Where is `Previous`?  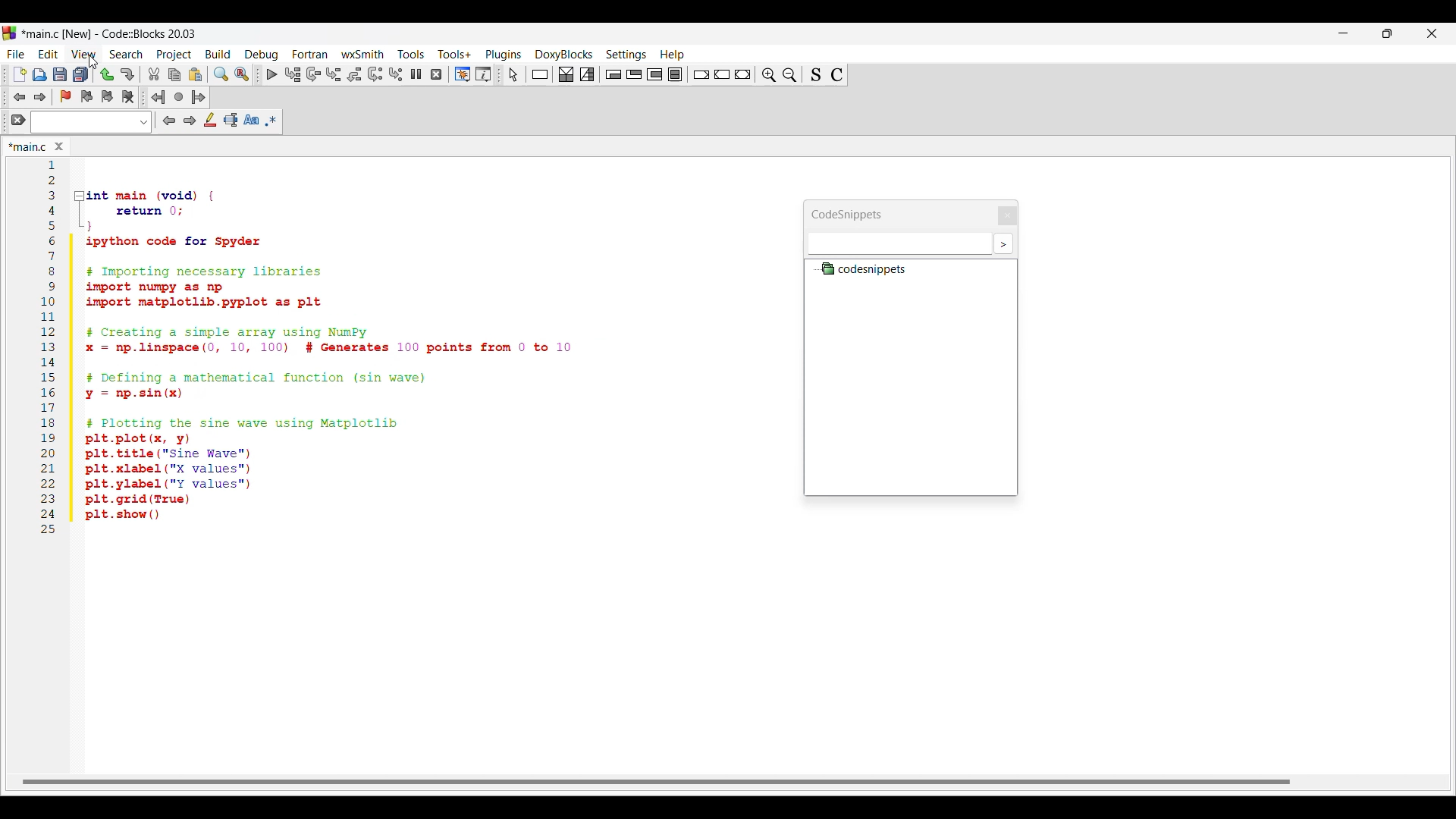
Previous is located at coordinates (169, 121).